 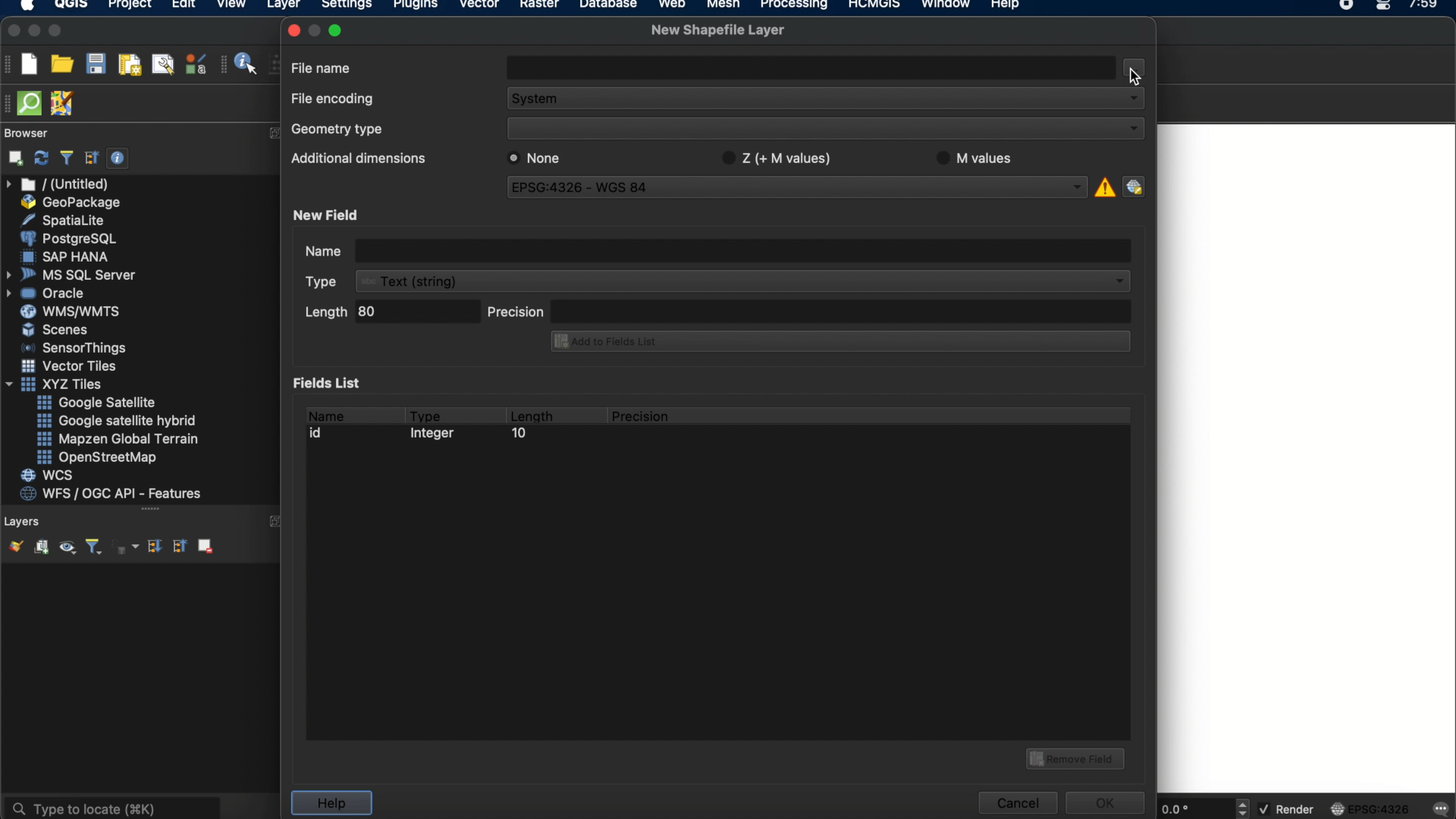 I want to click on M values, so click(x=975, y=156).